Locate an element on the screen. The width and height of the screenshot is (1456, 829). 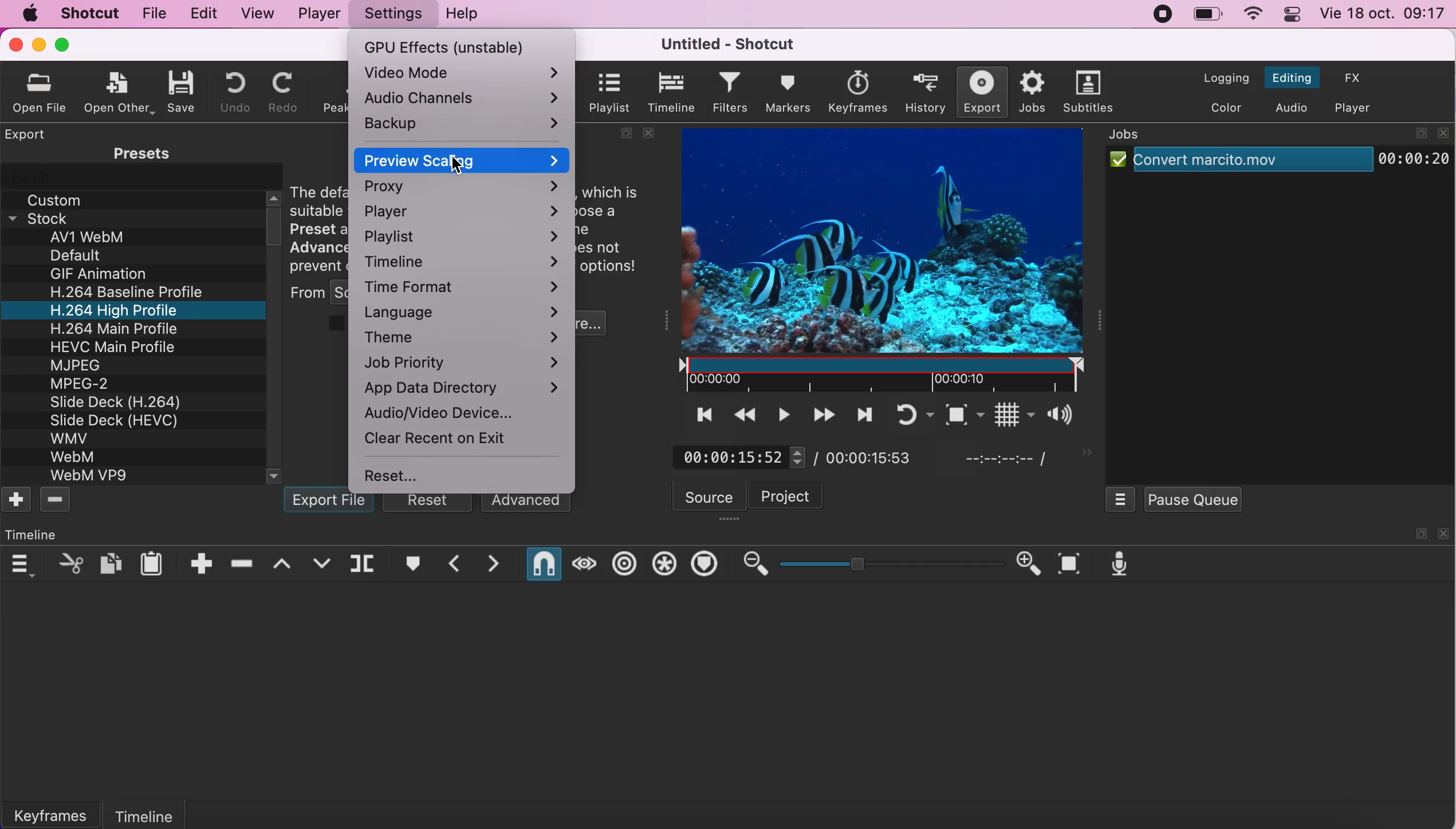
recording stopped is located at coordinates (1160, 13).